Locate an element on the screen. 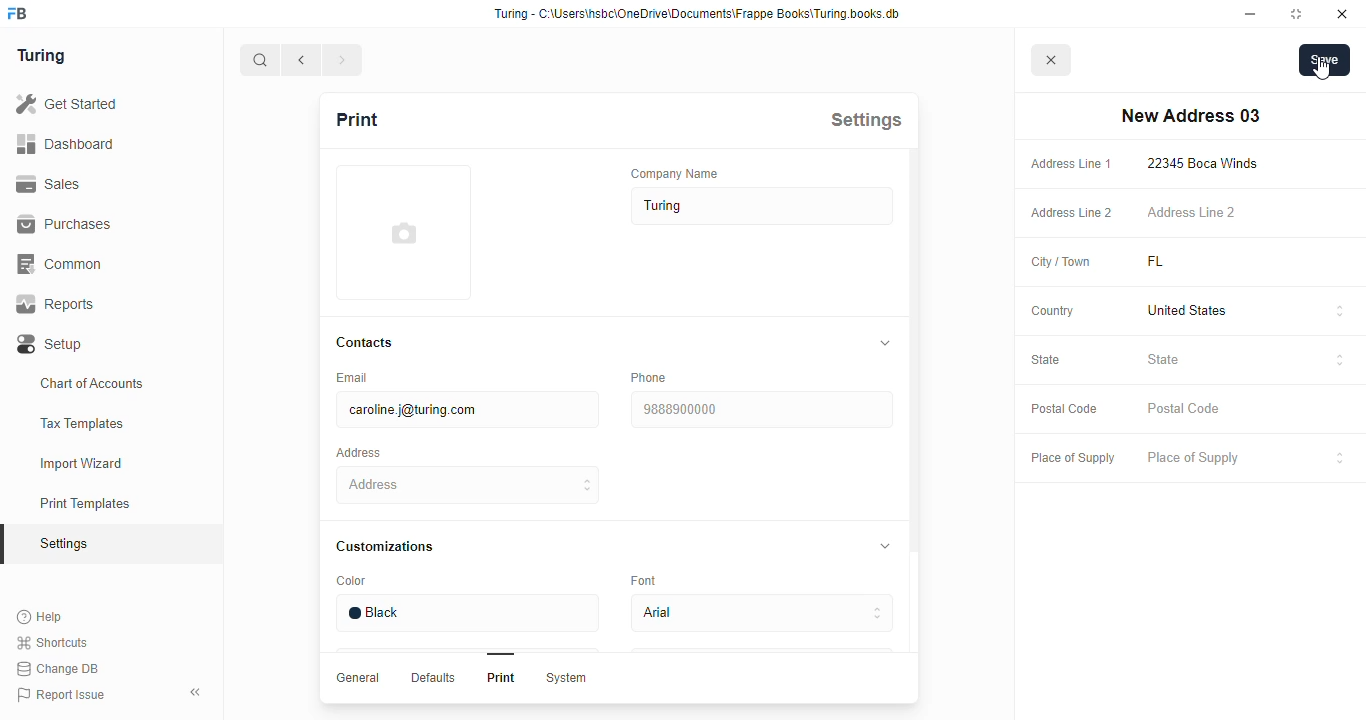 The image size is (1366, 720). image input field is located at coordinates (401, 232).